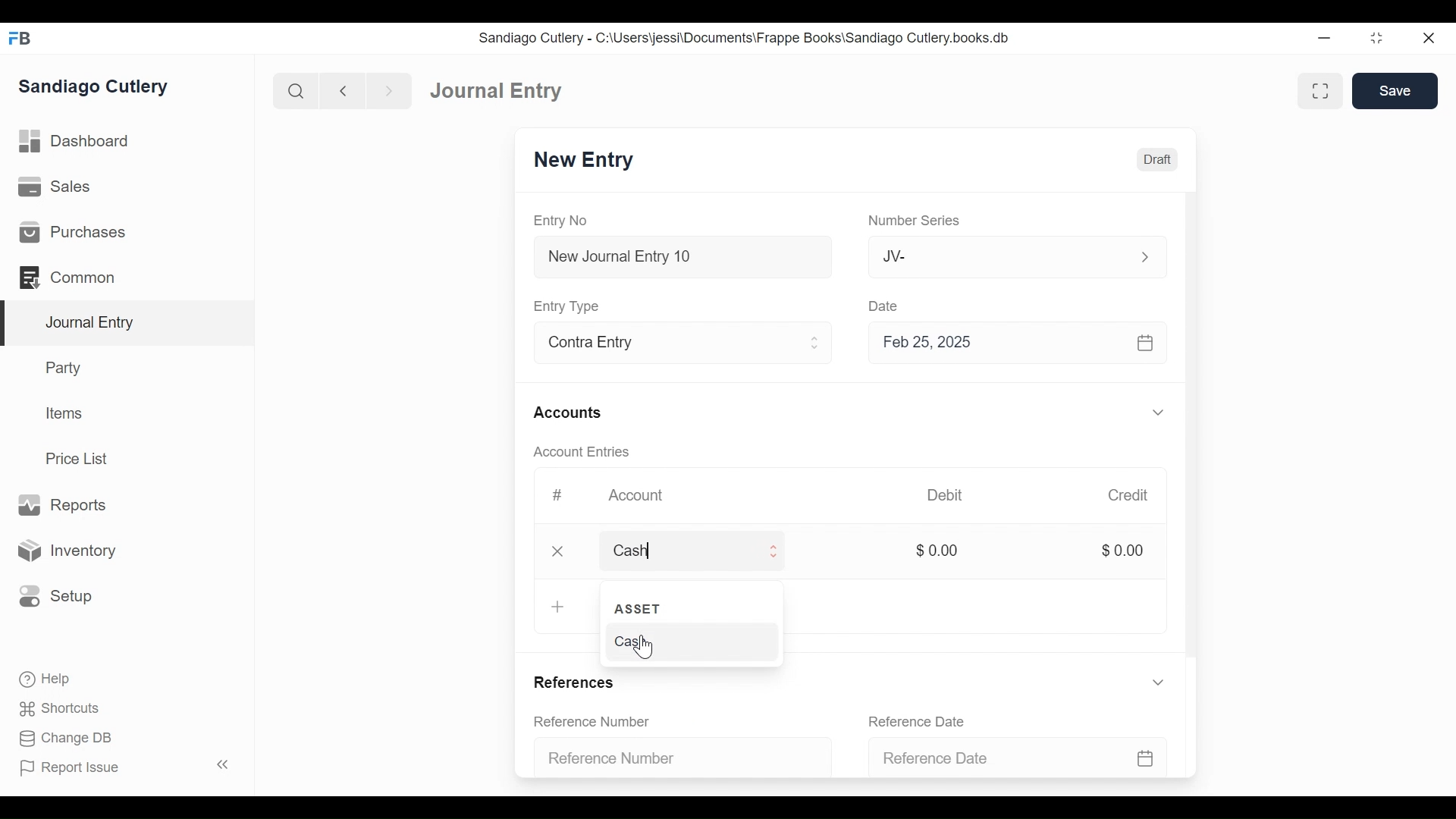 This screenshot has height=819, width=1456. What do you see at coordinates (1127, 551) in the screenshot?
I see `$0.00` at bounding box center [1127, 551].